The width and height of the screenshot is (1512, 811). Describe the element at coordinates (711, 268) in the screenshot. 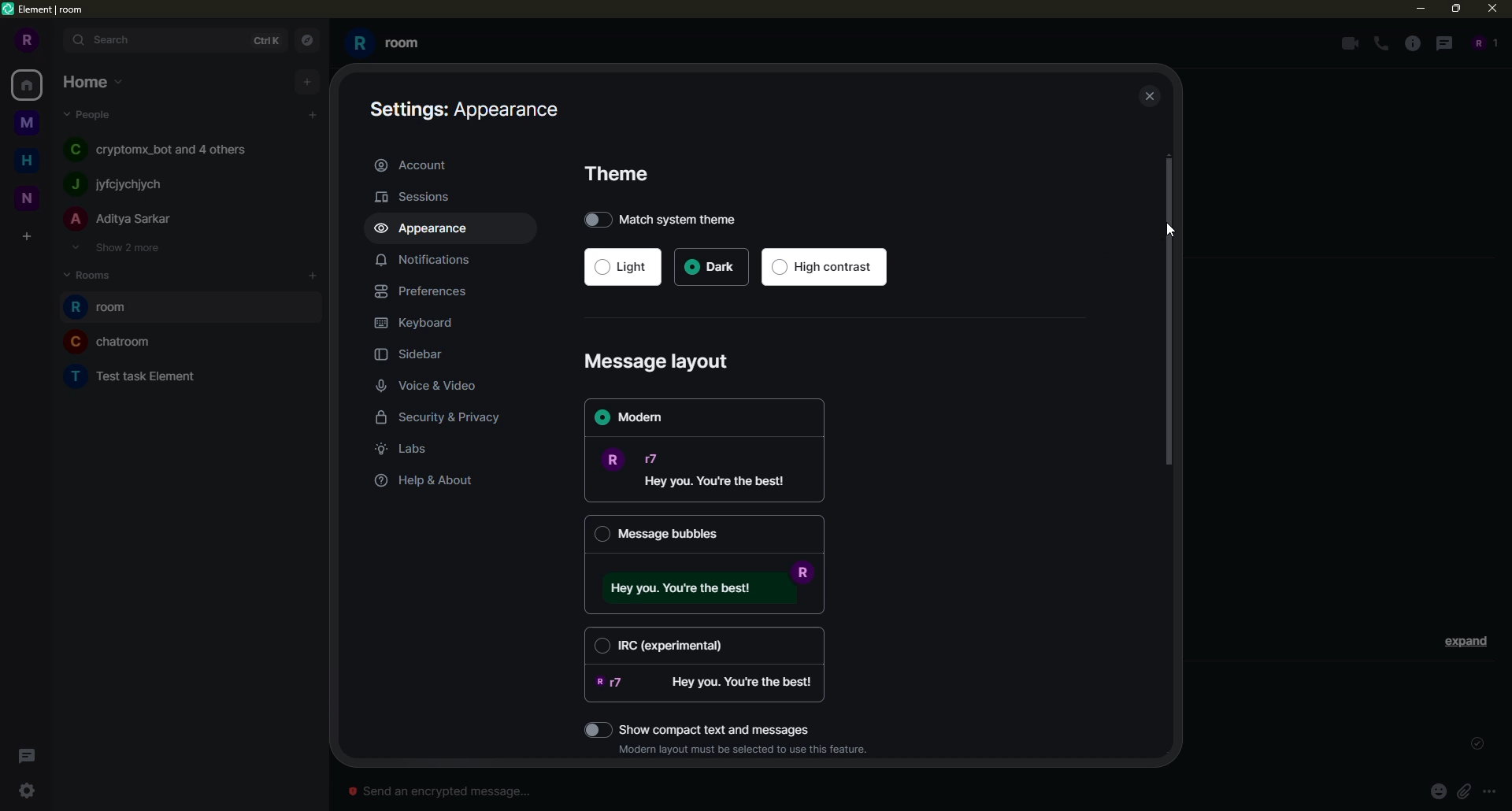

I see `dark` at that location.